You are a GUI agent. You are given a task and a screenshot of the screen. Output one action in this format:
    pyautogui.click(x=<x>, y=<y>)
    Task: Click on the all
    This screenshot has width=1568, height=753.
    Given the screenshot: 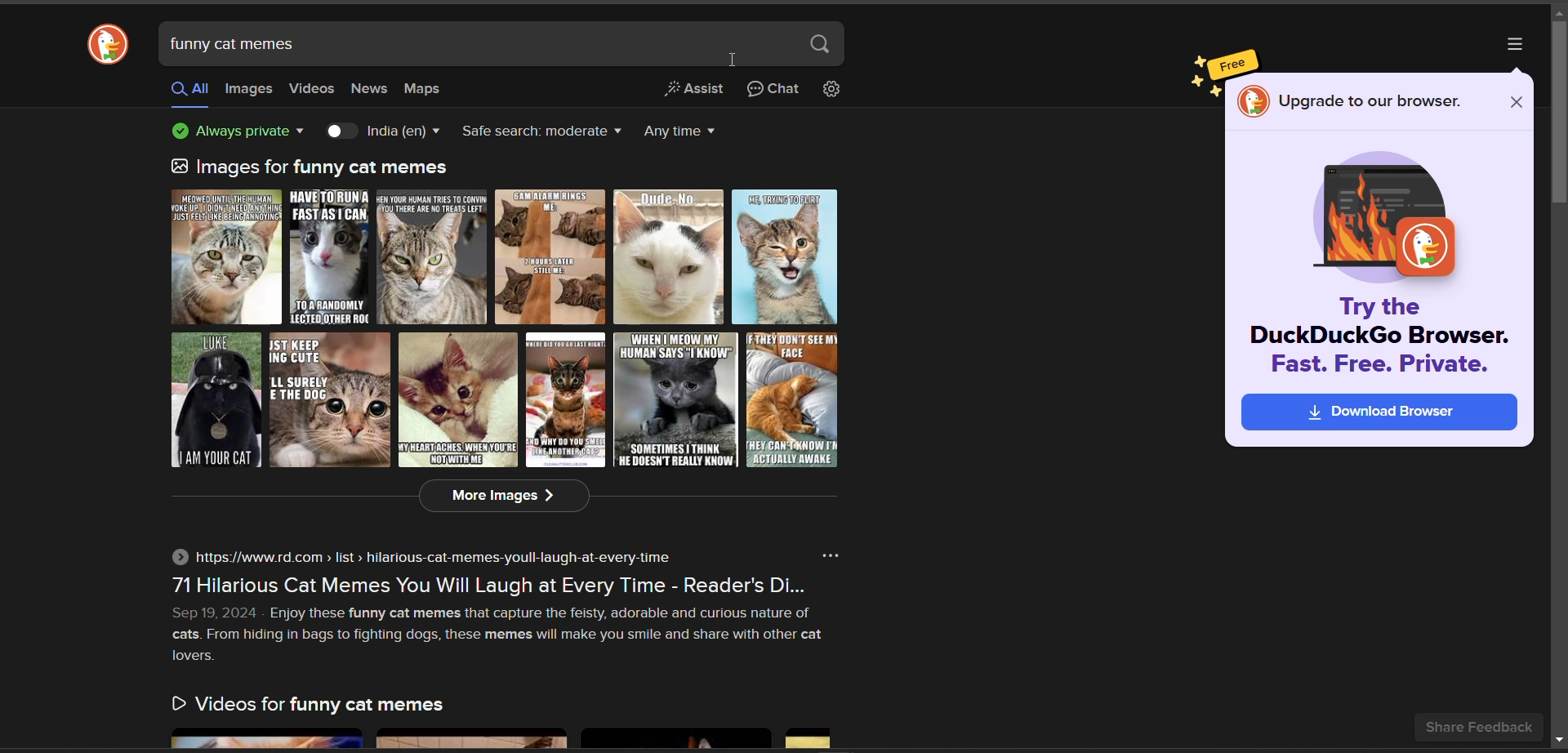 What is the action you would take?
    pyautogui.click(x=186, y=90)
    